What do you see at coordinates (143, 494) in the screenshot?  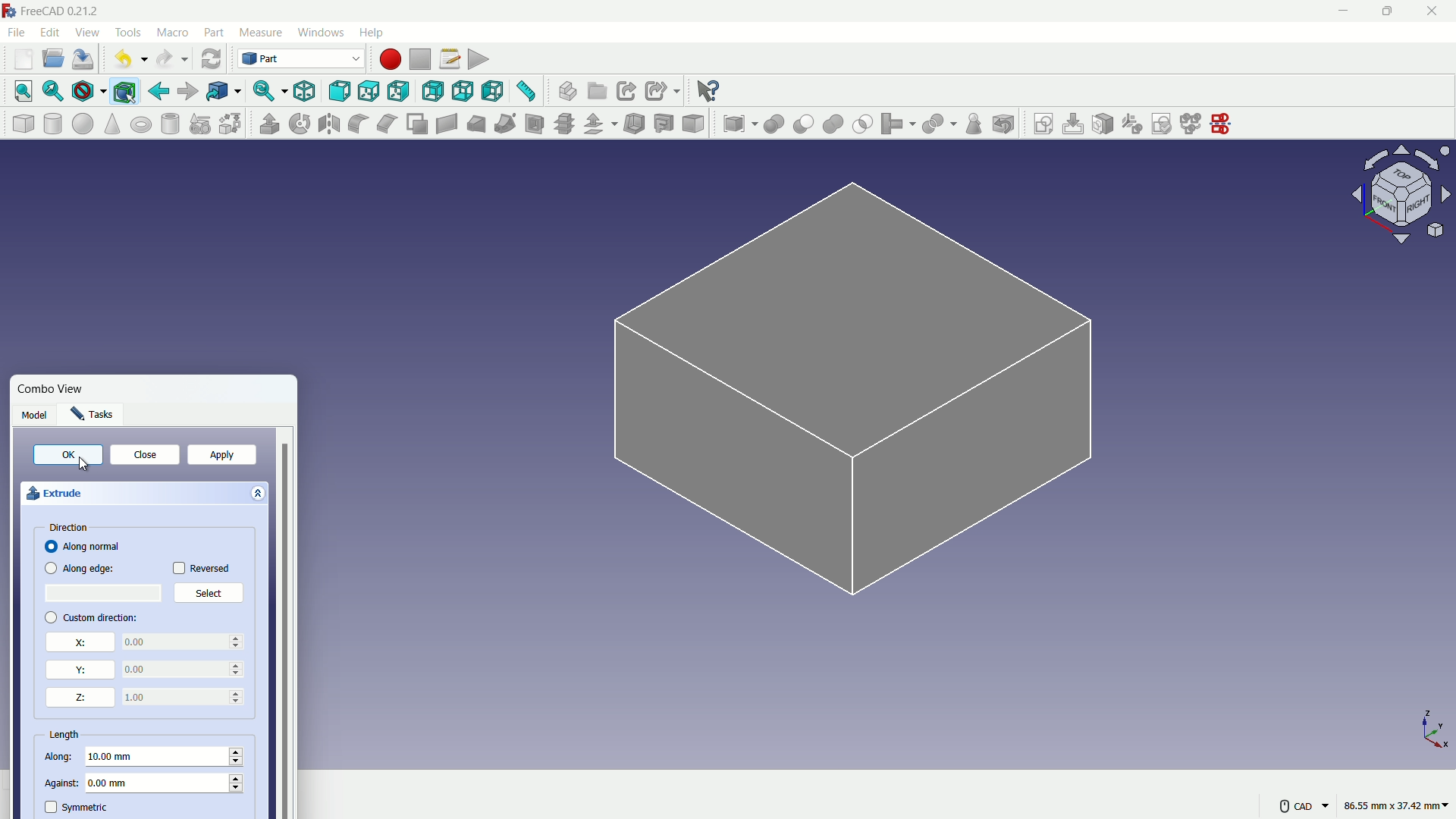 I see `extrude` at bounding box center [143, 494].